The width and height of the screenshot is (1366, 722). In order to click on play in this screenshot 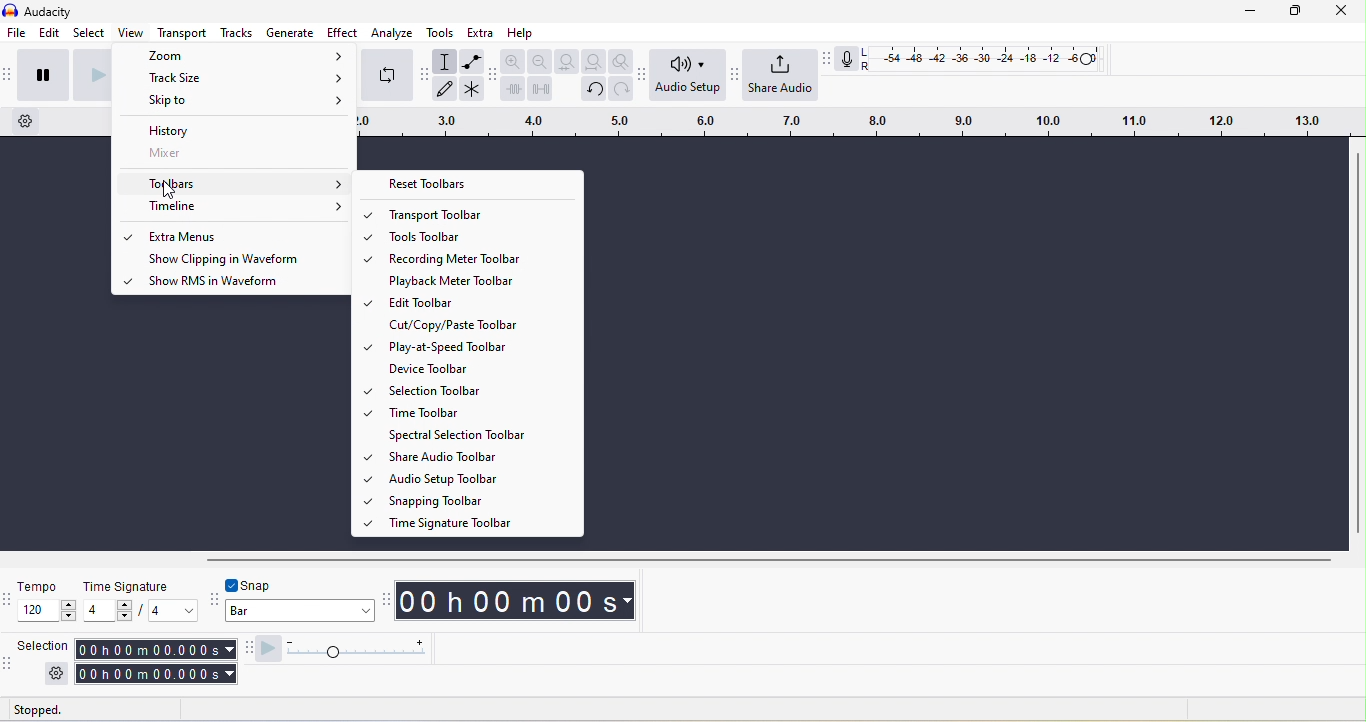, I will do `click(90, 76)`.